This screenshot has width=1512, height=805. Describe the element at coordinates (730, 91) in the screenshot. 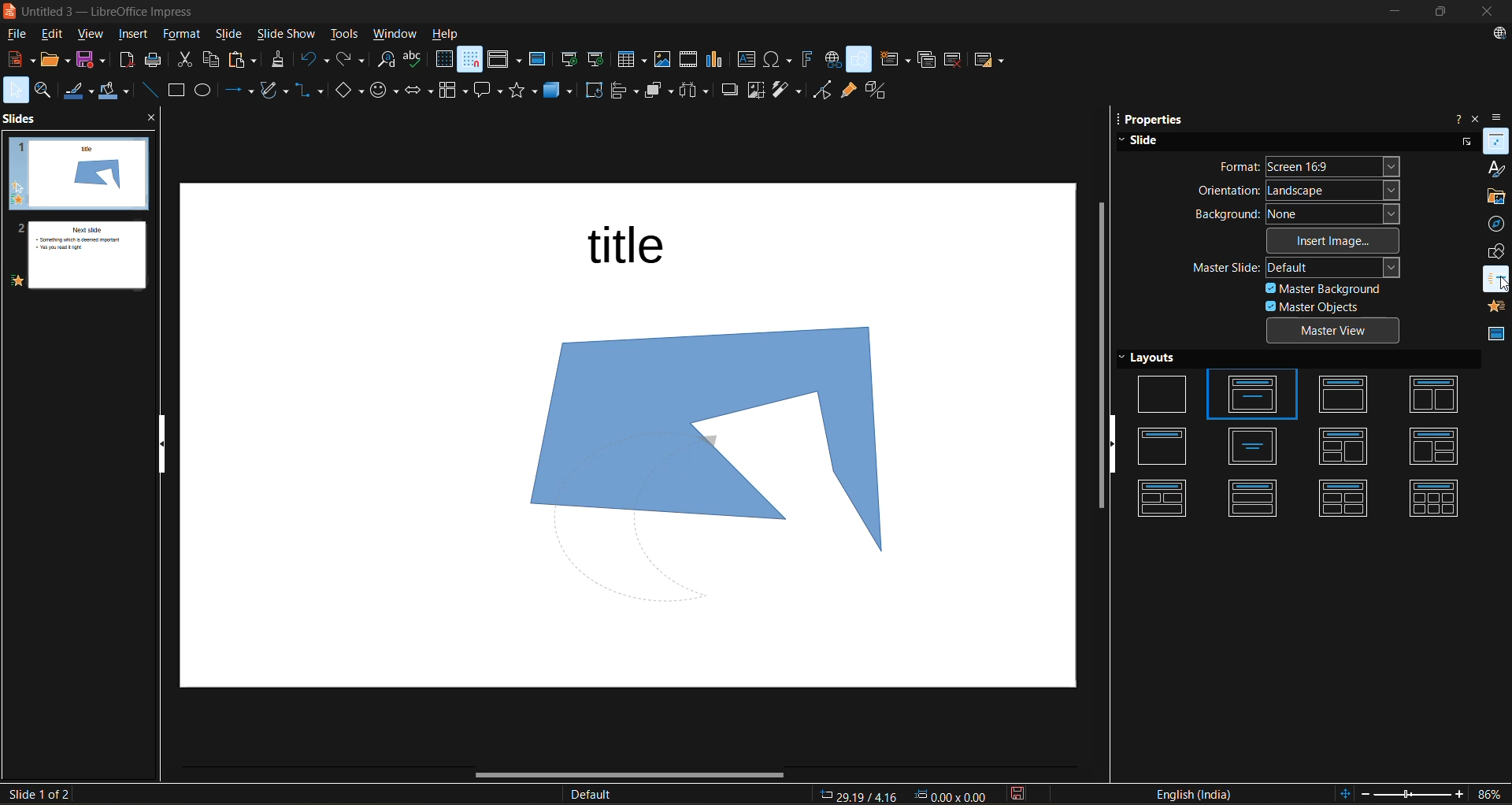

I see `shadow` at that location.